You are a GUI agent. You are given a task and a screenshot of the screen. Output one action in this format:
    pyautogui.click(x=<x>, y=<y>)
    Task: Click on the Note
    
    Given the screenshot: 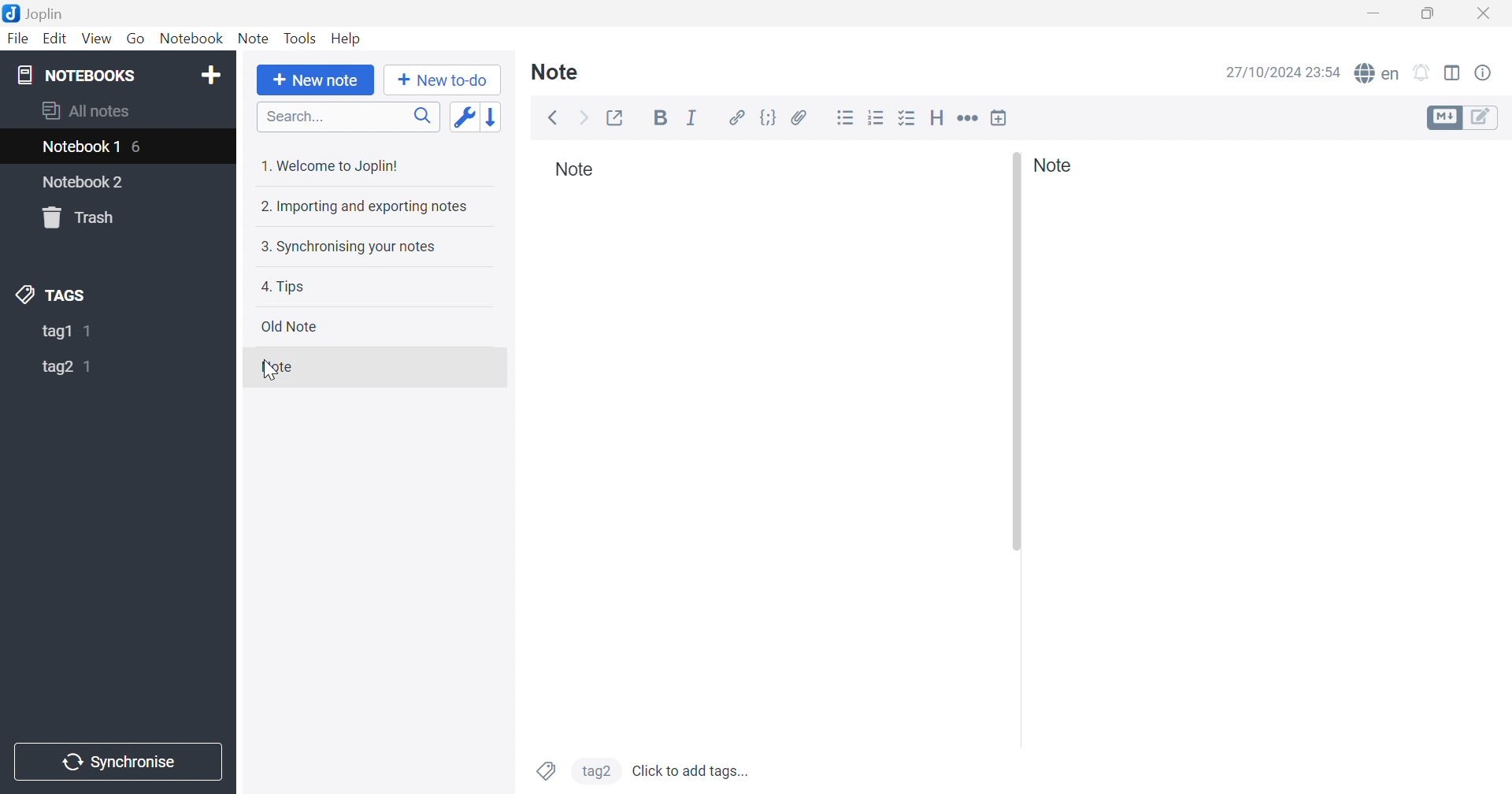 What is the action you would take?
    pyautogui.click(x=556, y=73)
    